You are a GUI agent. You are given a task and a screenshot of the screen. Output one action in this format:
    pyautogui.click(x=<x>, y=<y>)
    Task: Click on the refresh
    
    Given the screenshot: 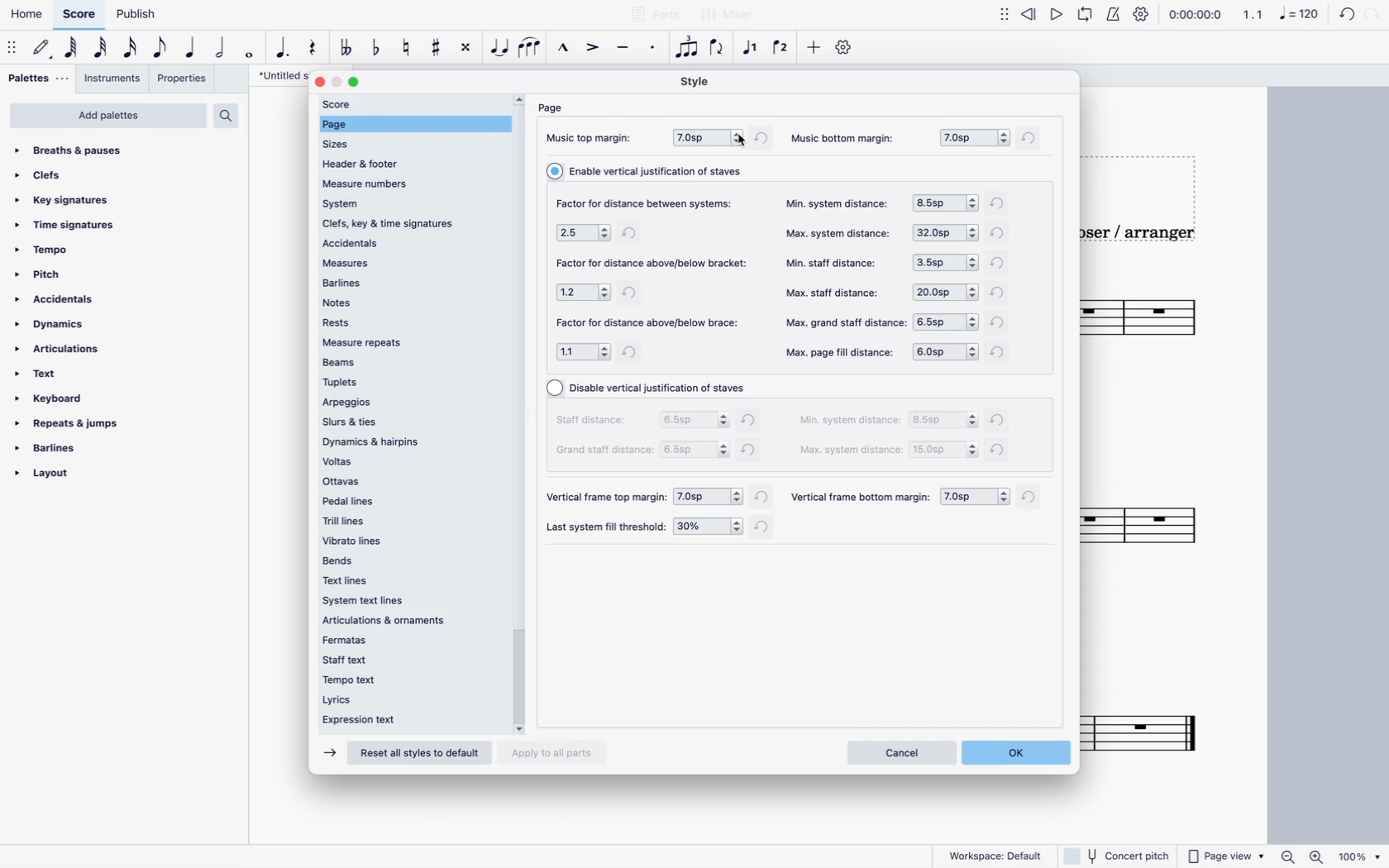 What is the action you would take?
    pyautogui.click(x=1032, y=137)
    